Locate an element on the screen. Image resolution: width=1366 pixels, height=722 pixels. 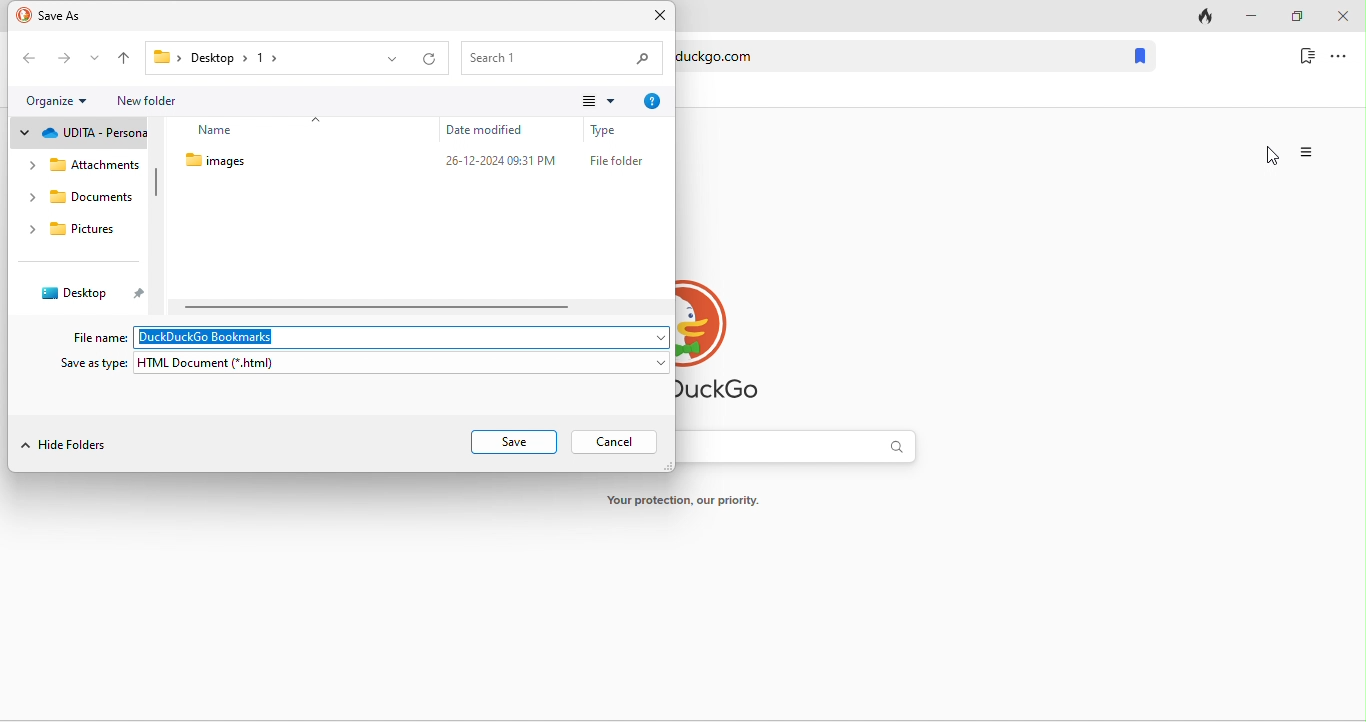
horizontal scroll bar is located at coordinates (380, 306).